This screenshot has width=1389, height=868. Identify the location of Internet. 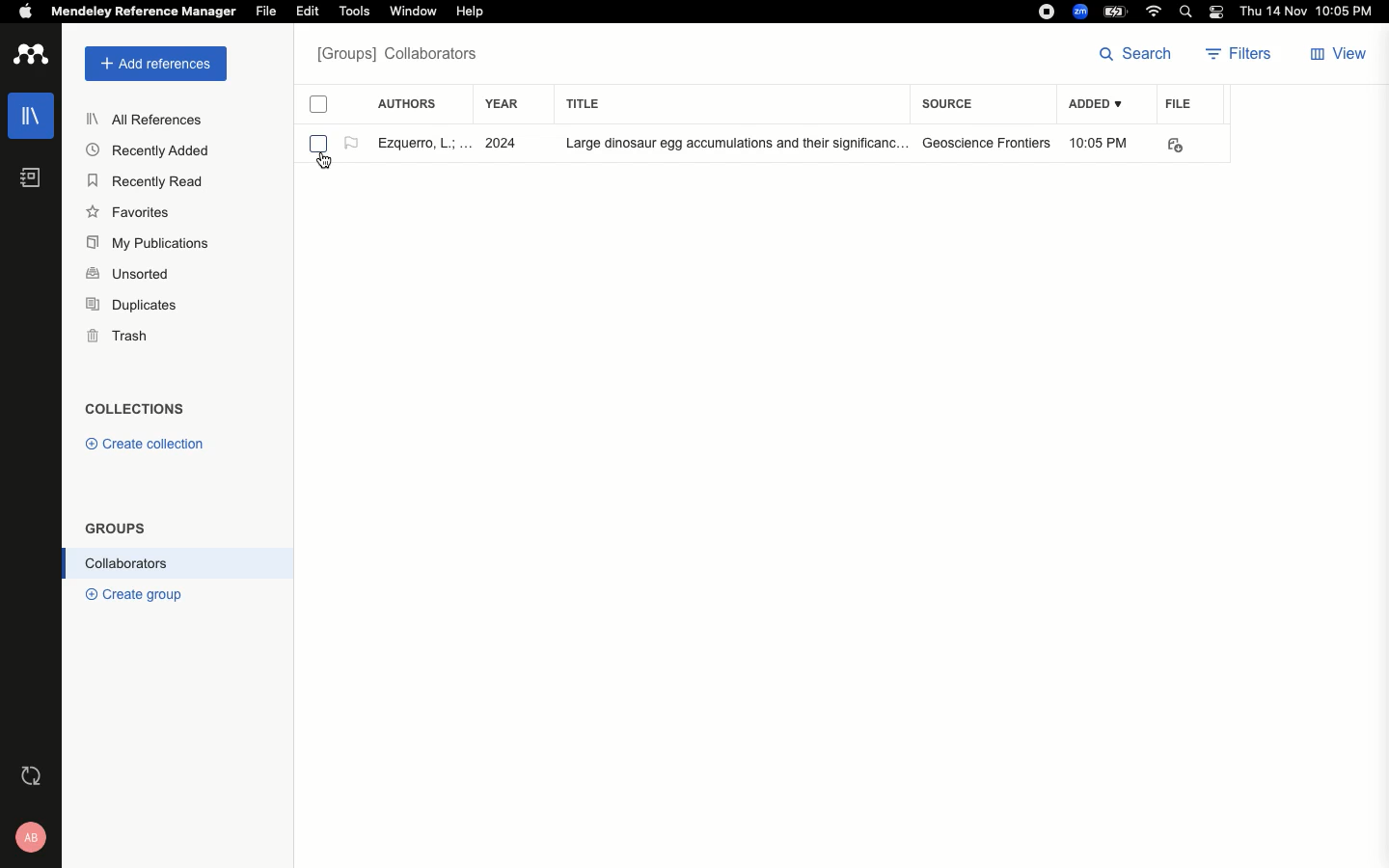
(1156, 12).